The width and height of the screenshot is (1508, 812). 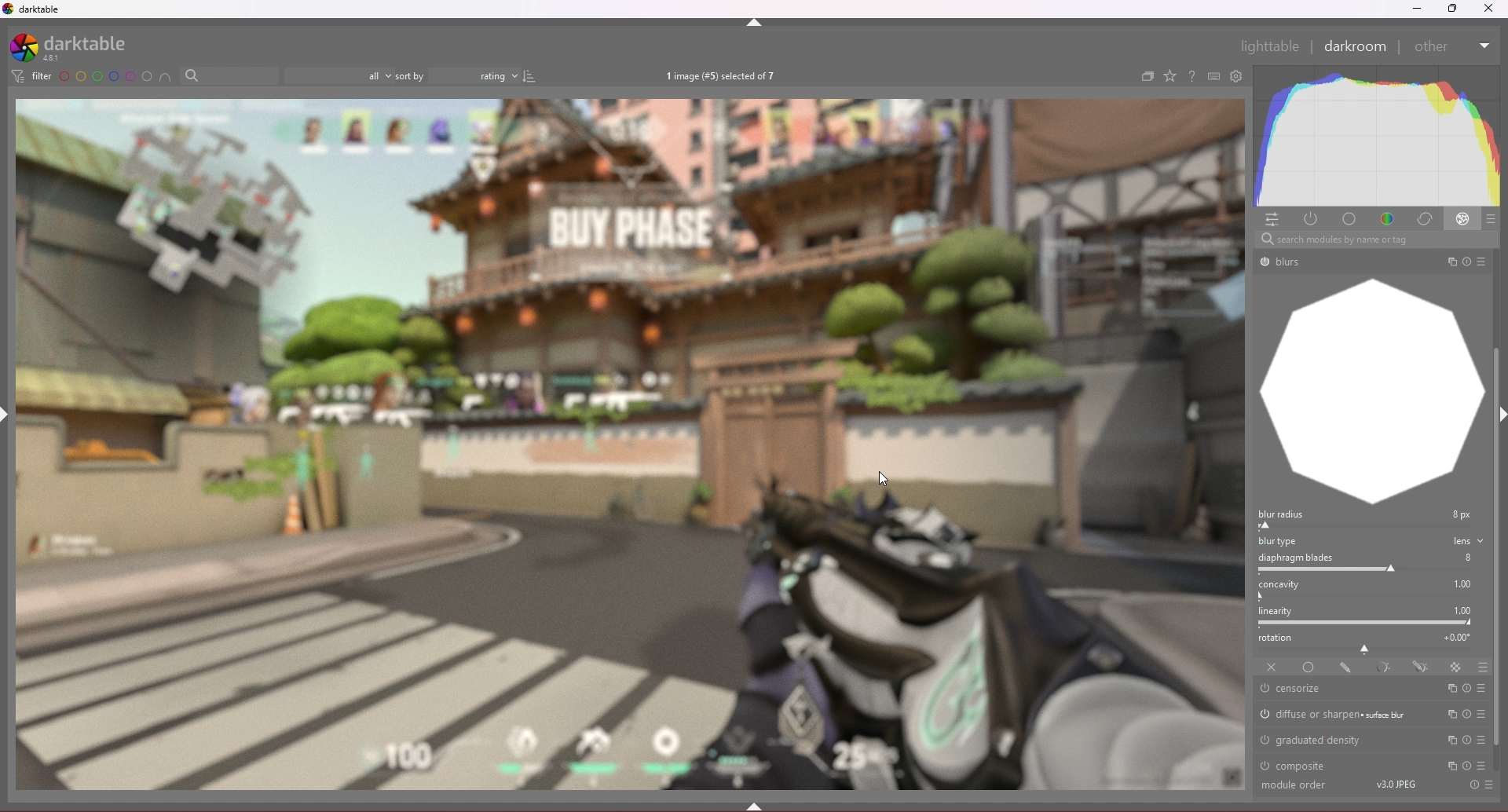 What do you see at coordinates (1424, 219) in the screenshot?
I see `correct` at bounding box center [1424, 219].